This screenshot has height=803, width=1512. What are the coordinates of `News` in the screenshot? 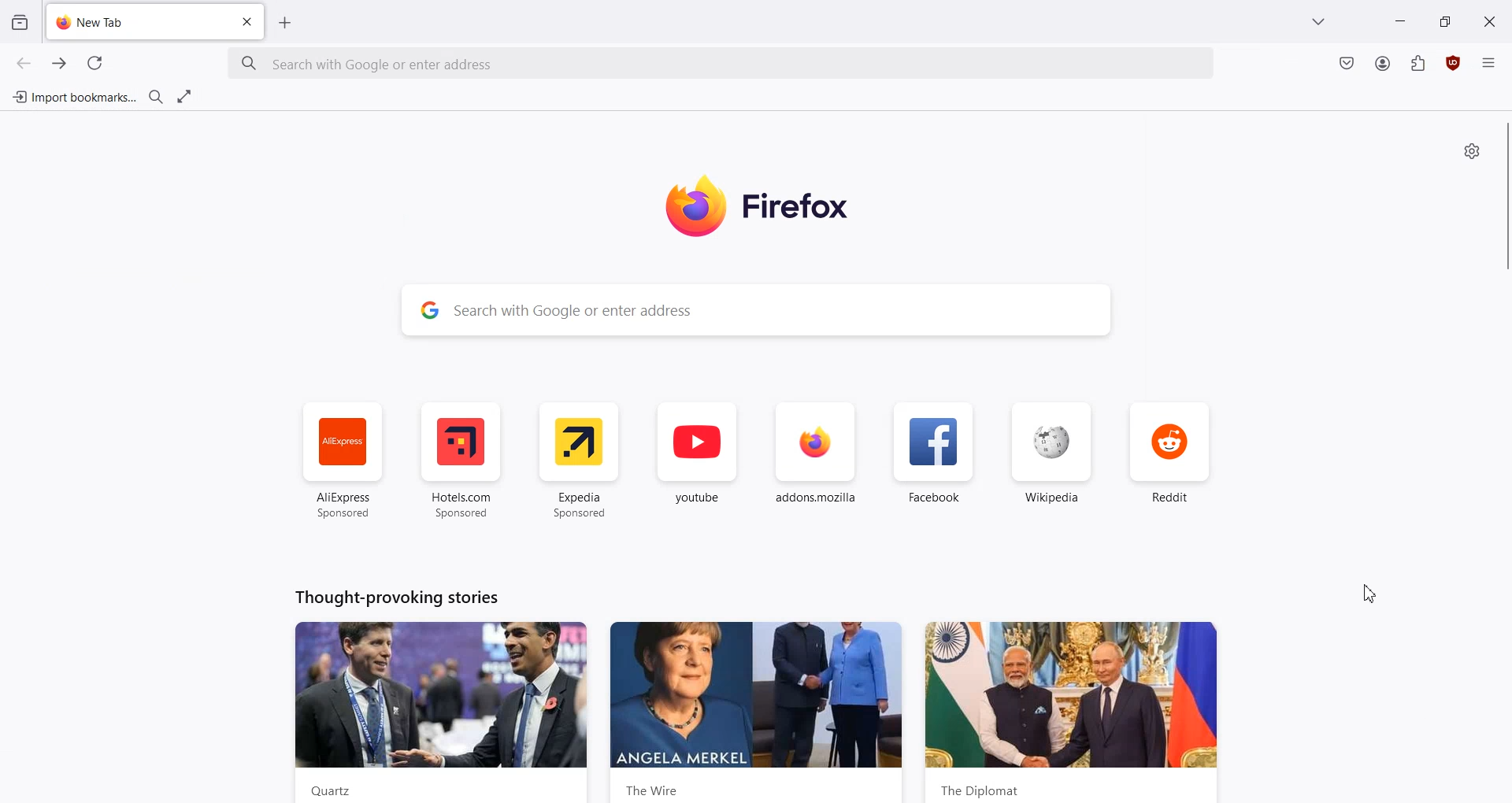 It's located at (442, 711).